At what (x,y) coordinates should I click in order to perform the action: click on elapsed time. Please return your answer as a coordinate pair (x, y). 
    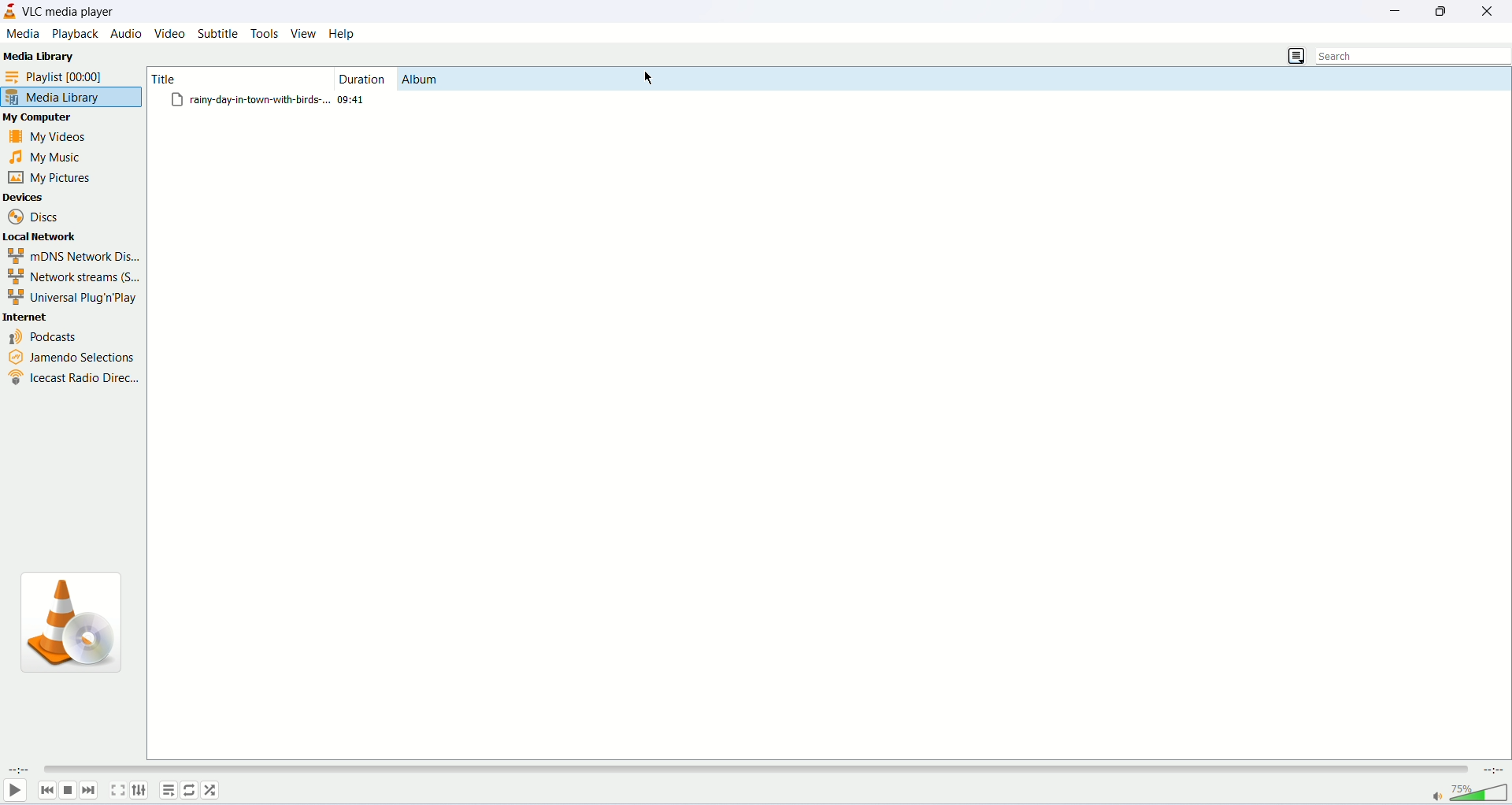
    Looking at the image, I should click on (18, 769).